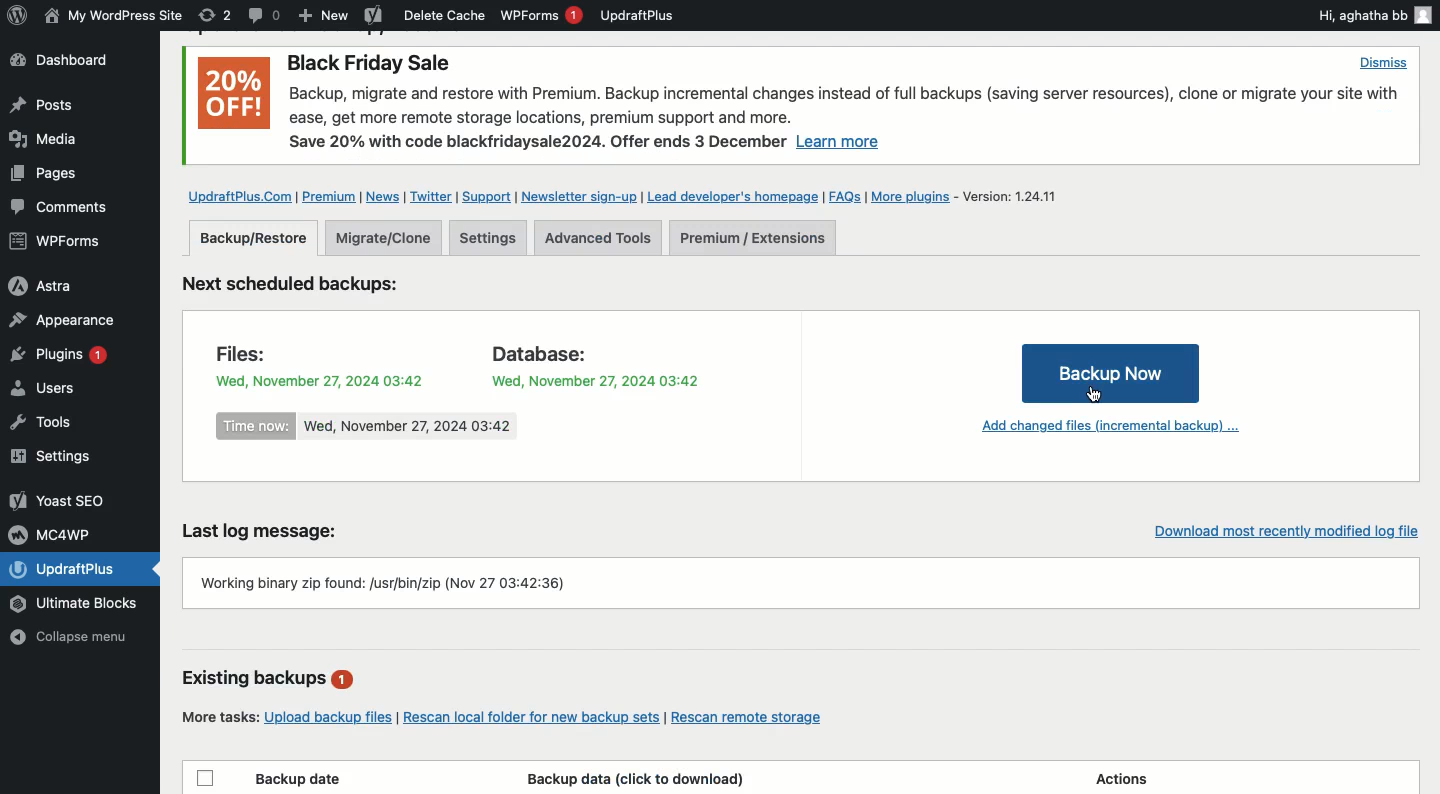 This screenshot has height=794, width=1440. I want to click on 20% OFF, so click(235, 94).